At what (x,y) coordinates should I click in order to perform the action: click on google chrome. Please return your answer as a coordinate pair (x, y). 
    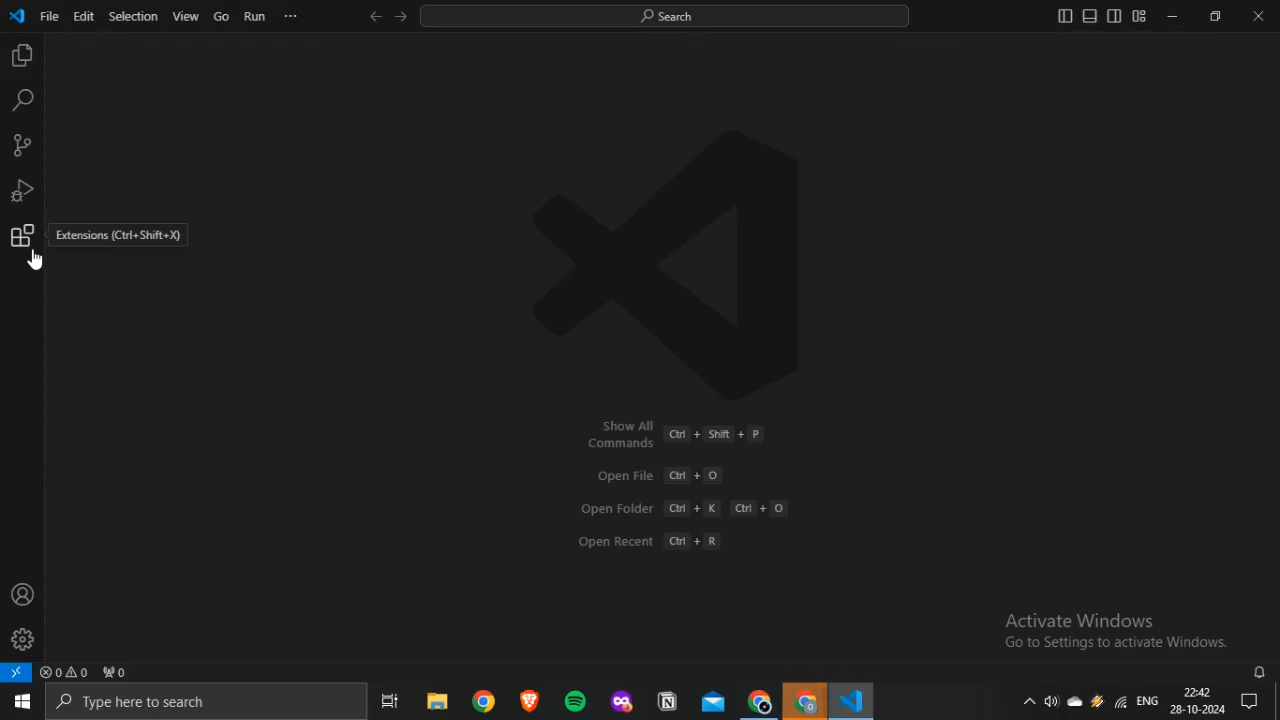
    Looking at the image, I should click on (486, 700).